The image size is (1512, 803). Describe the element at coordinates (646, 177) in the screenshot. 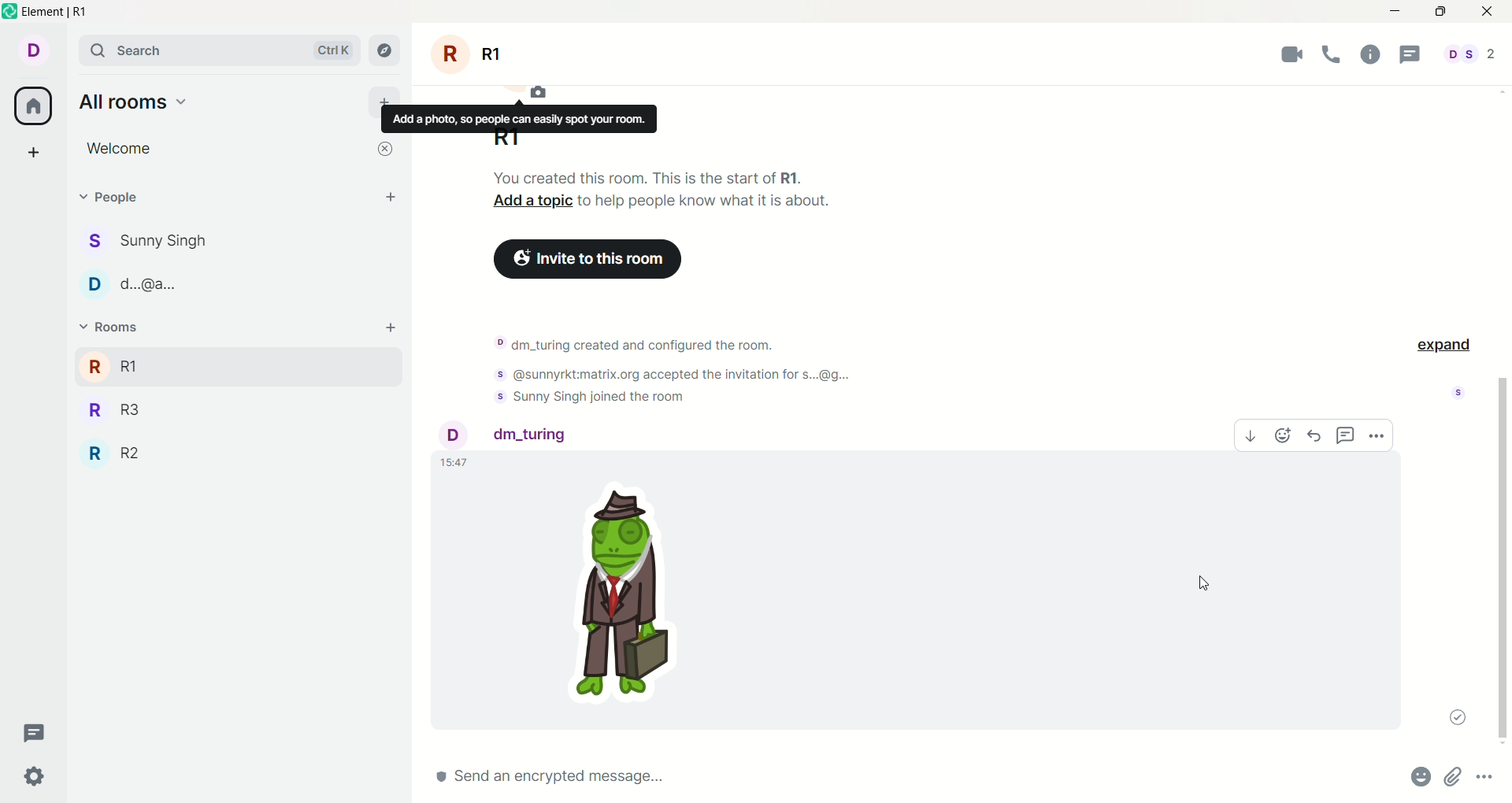

I see `Text` at that location.